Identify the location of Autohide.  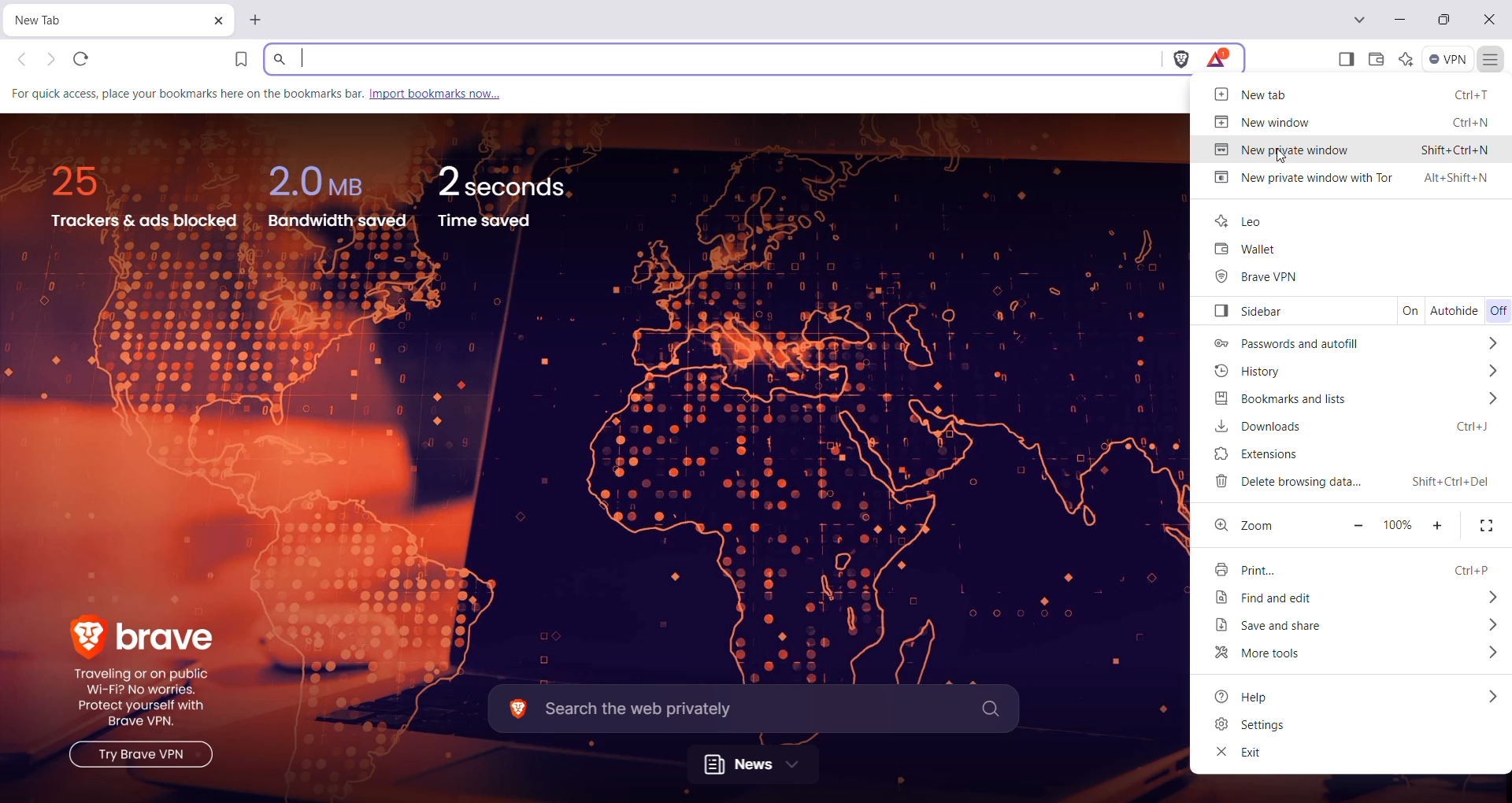
(1455, 312).